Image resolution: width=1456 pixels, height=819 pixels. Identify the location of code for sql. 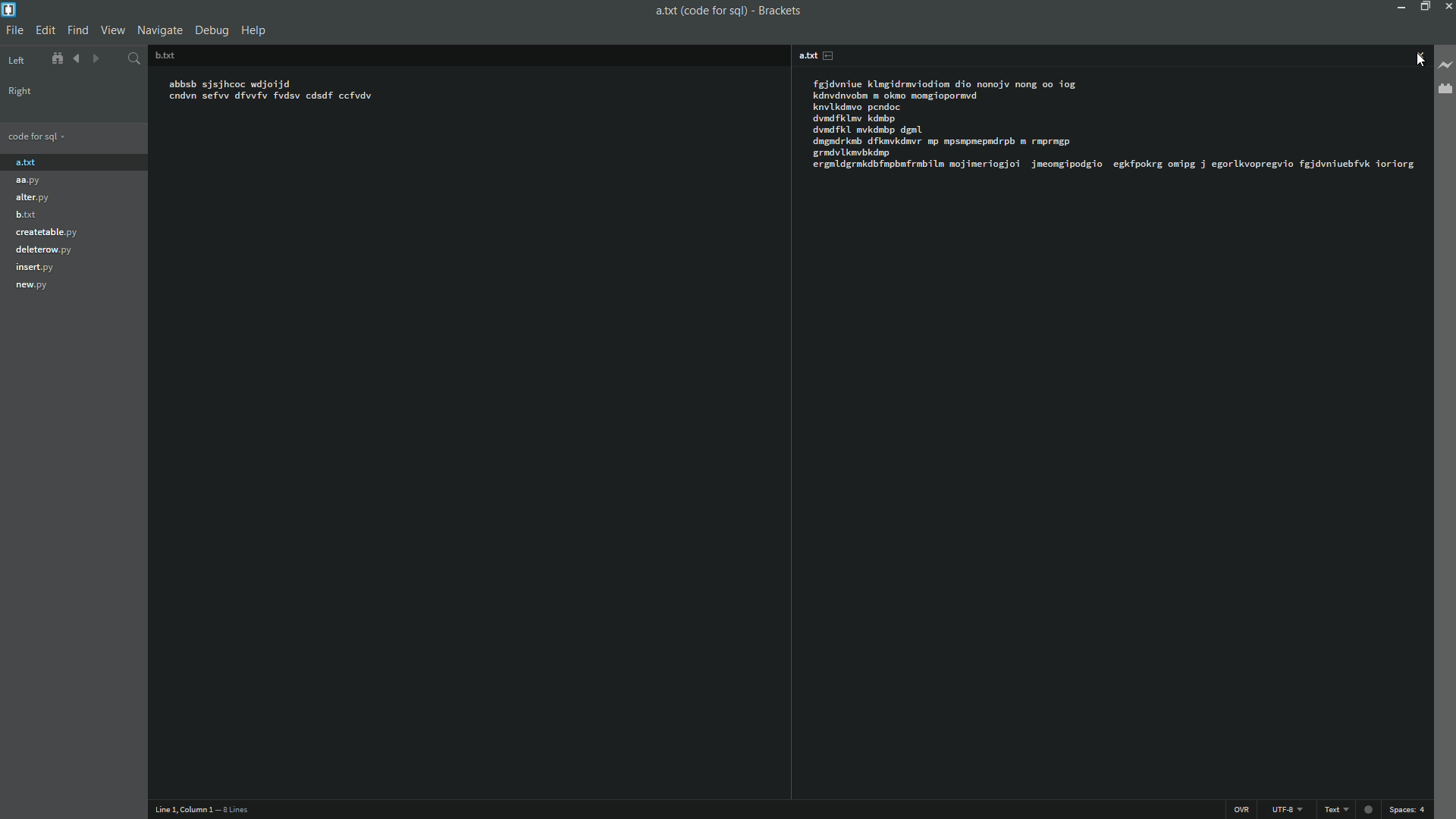
(38, 136).